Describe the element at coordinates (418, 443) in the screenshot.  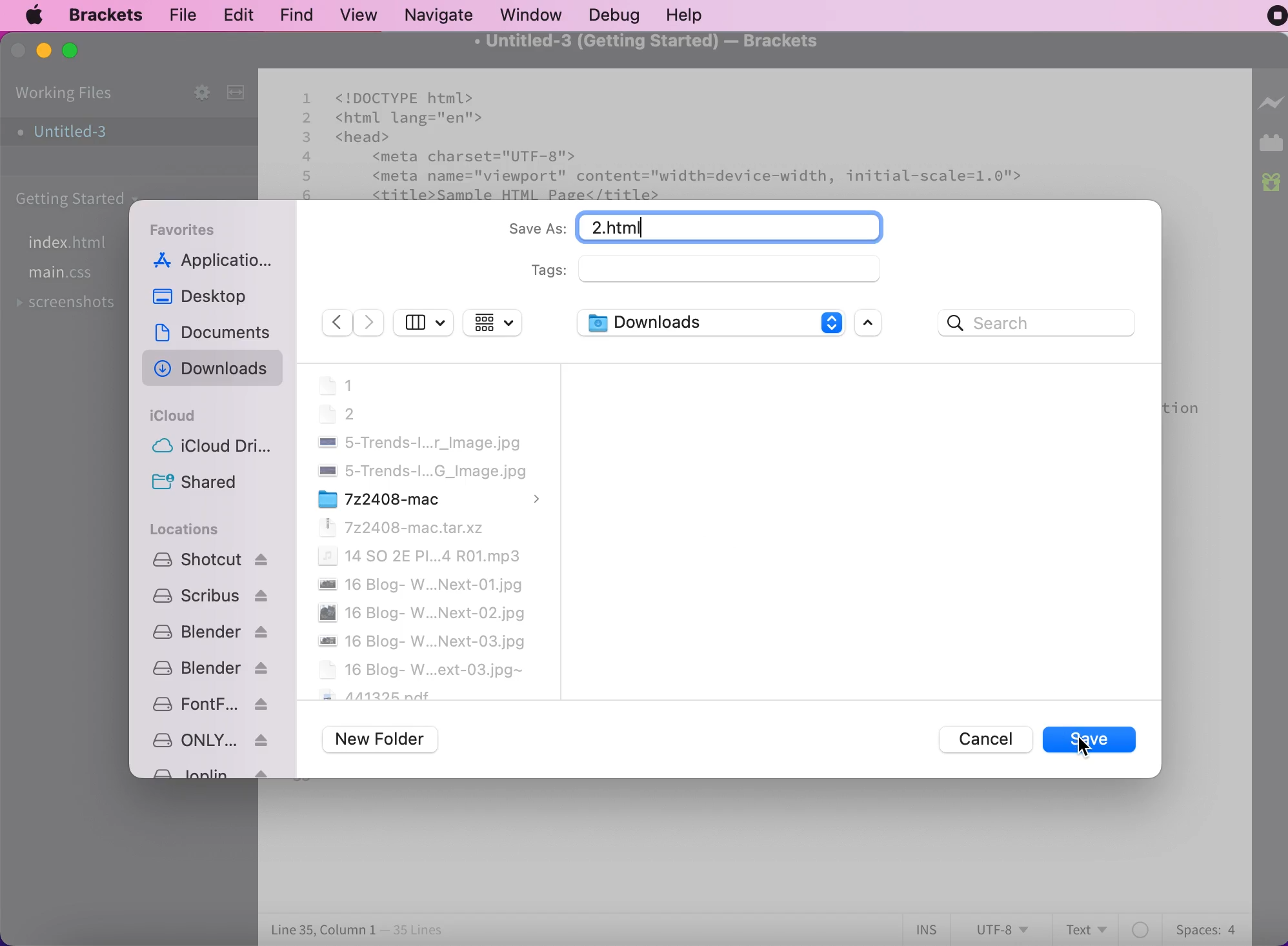
I see `5-trends-I...r_Image.jpg` at that location.